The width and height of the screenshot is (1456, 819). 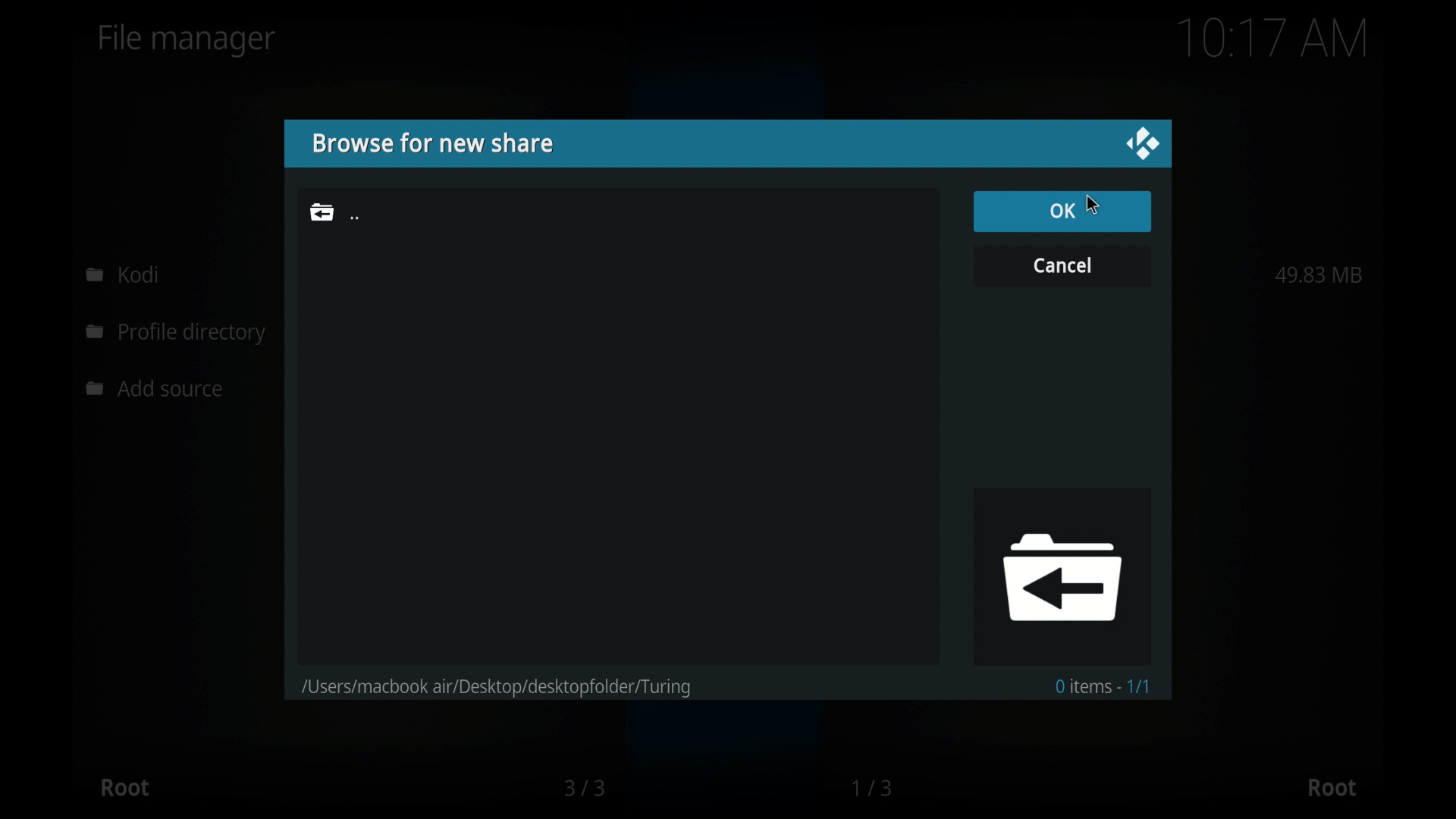 What do you see at coordinates (516, 682) in the screenshot?
I see `/Users/macbook air/Desktop/desktopfolder/Turing` at bounding box center [516, 682].